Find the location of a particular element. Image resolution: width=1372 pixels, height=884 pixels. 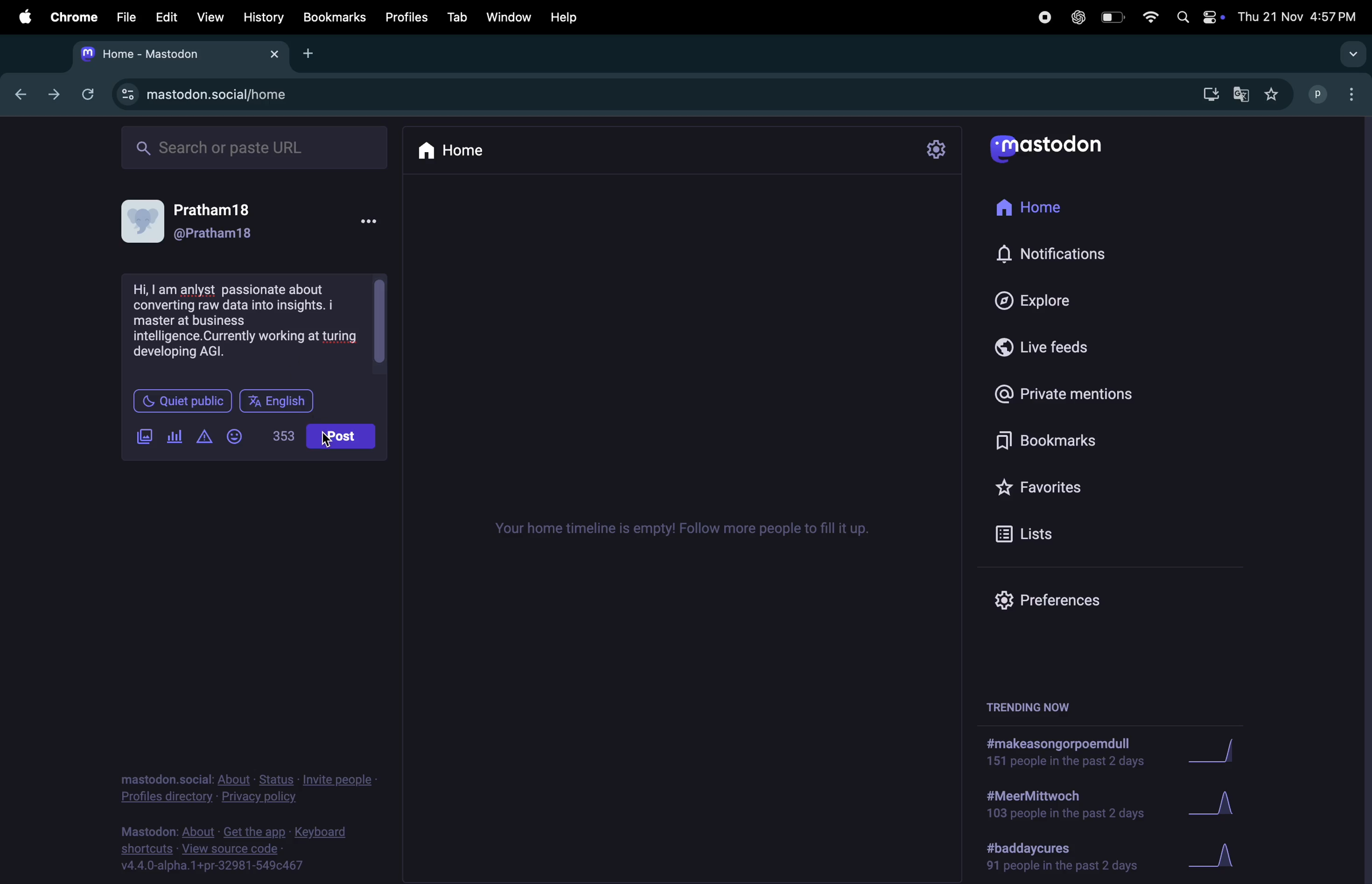

bookmarks is located at coordinates (1051, 444).